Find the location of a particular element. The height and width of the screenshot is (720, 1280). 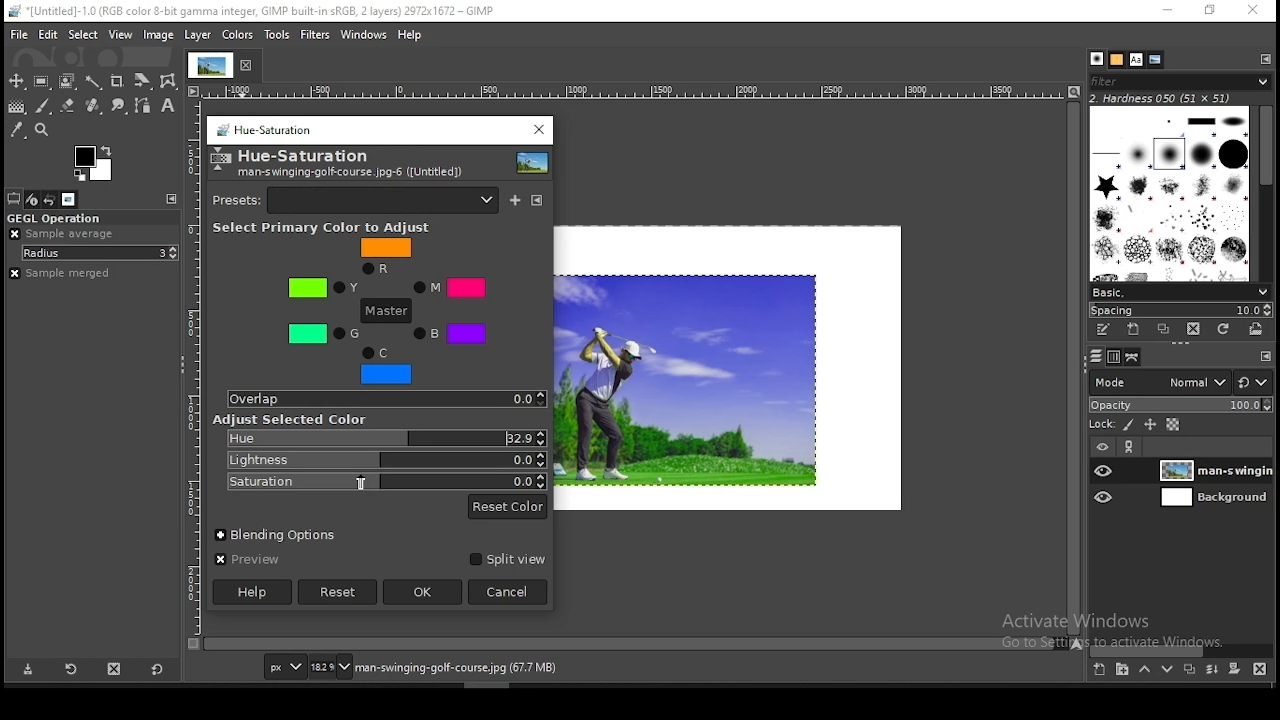

delete brush is located at coordinates (1192, 329).